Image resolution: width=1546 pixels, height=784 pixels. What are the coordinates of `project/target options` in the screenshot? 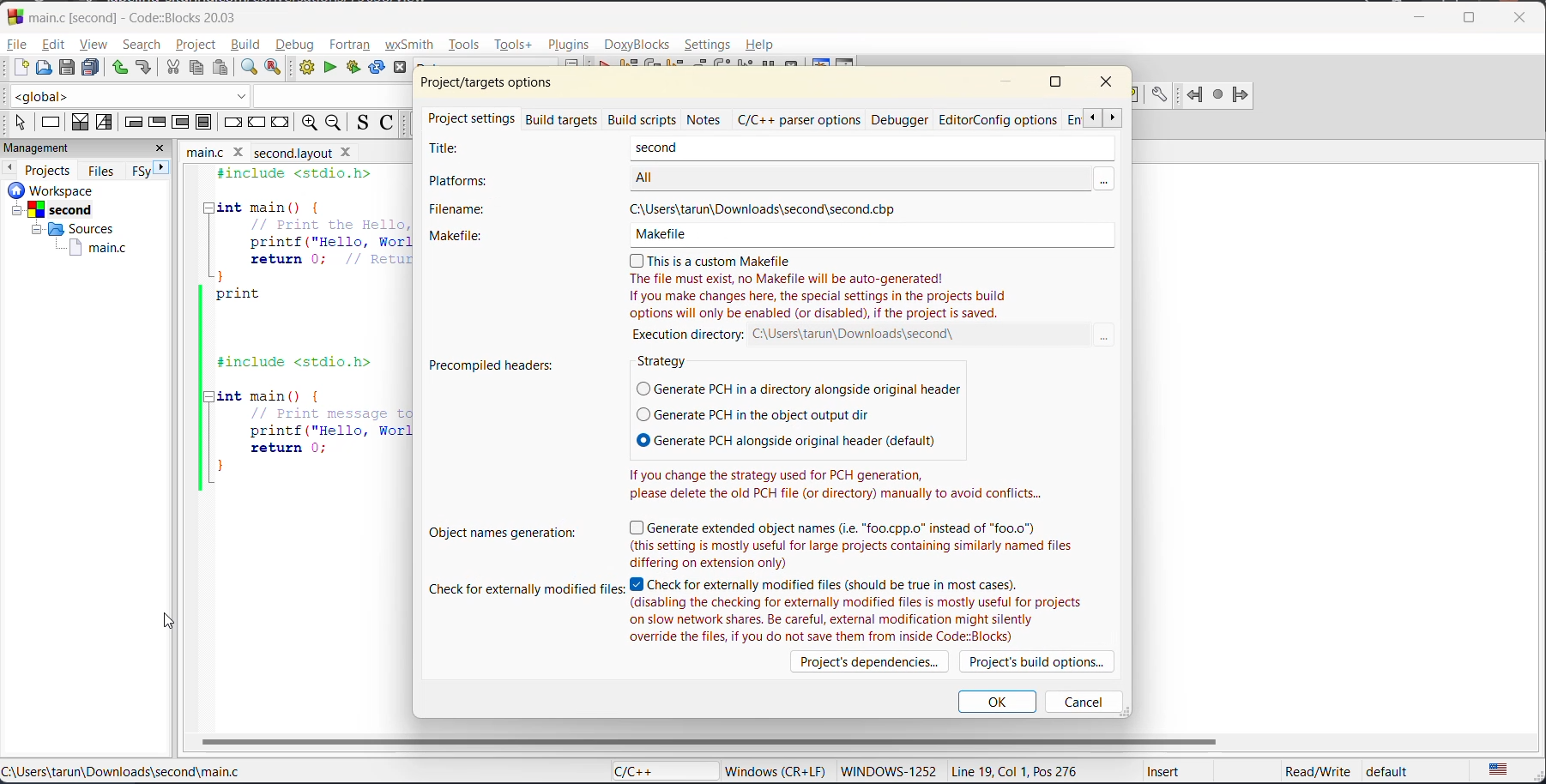 It's located at (497, 84).